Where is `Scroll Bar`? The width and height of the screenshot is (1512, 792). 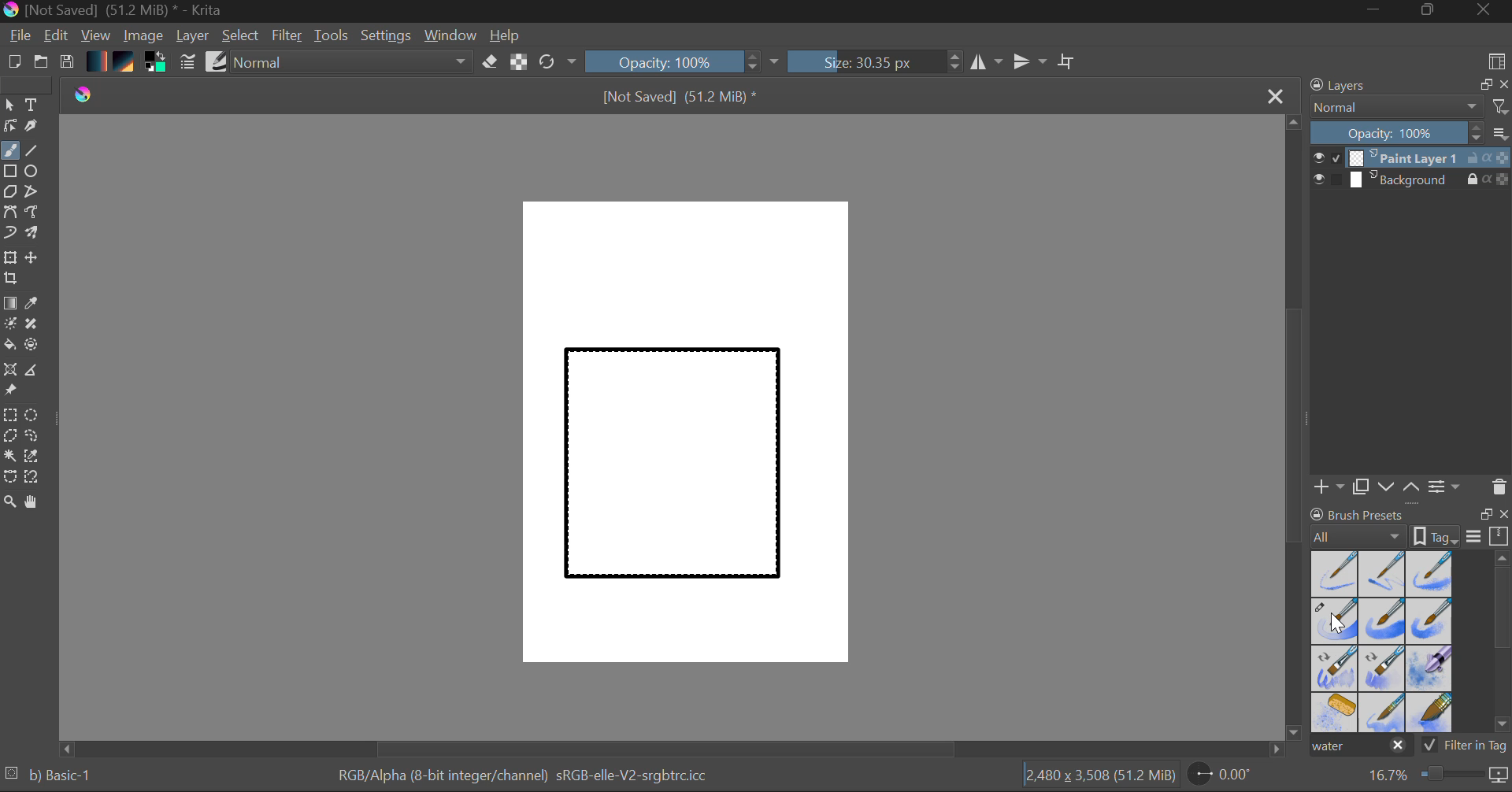
Scroll Bar is located at coordinates (1503, 645).